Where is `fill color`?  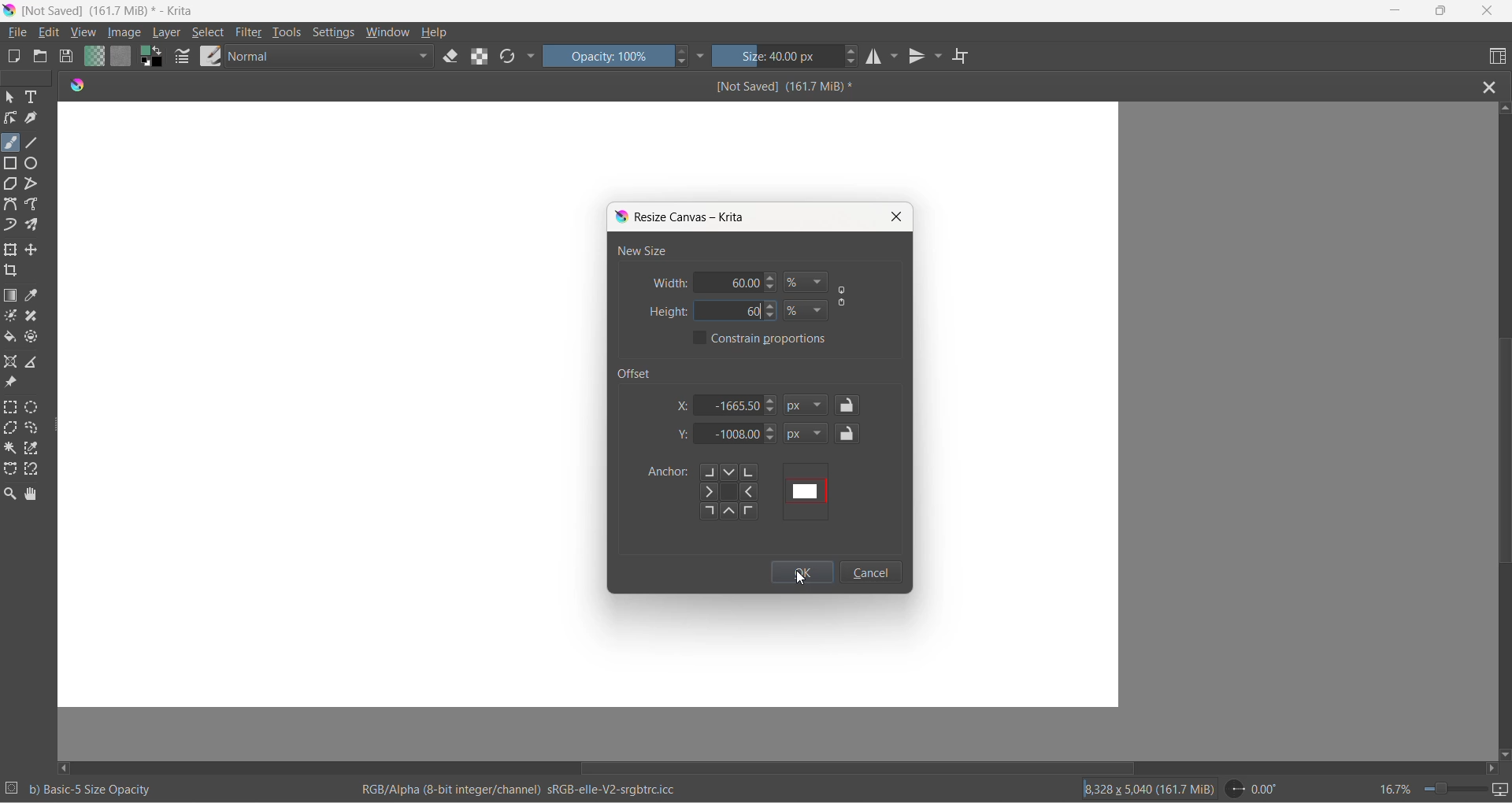 fill color is located at coordinates (11, 339).